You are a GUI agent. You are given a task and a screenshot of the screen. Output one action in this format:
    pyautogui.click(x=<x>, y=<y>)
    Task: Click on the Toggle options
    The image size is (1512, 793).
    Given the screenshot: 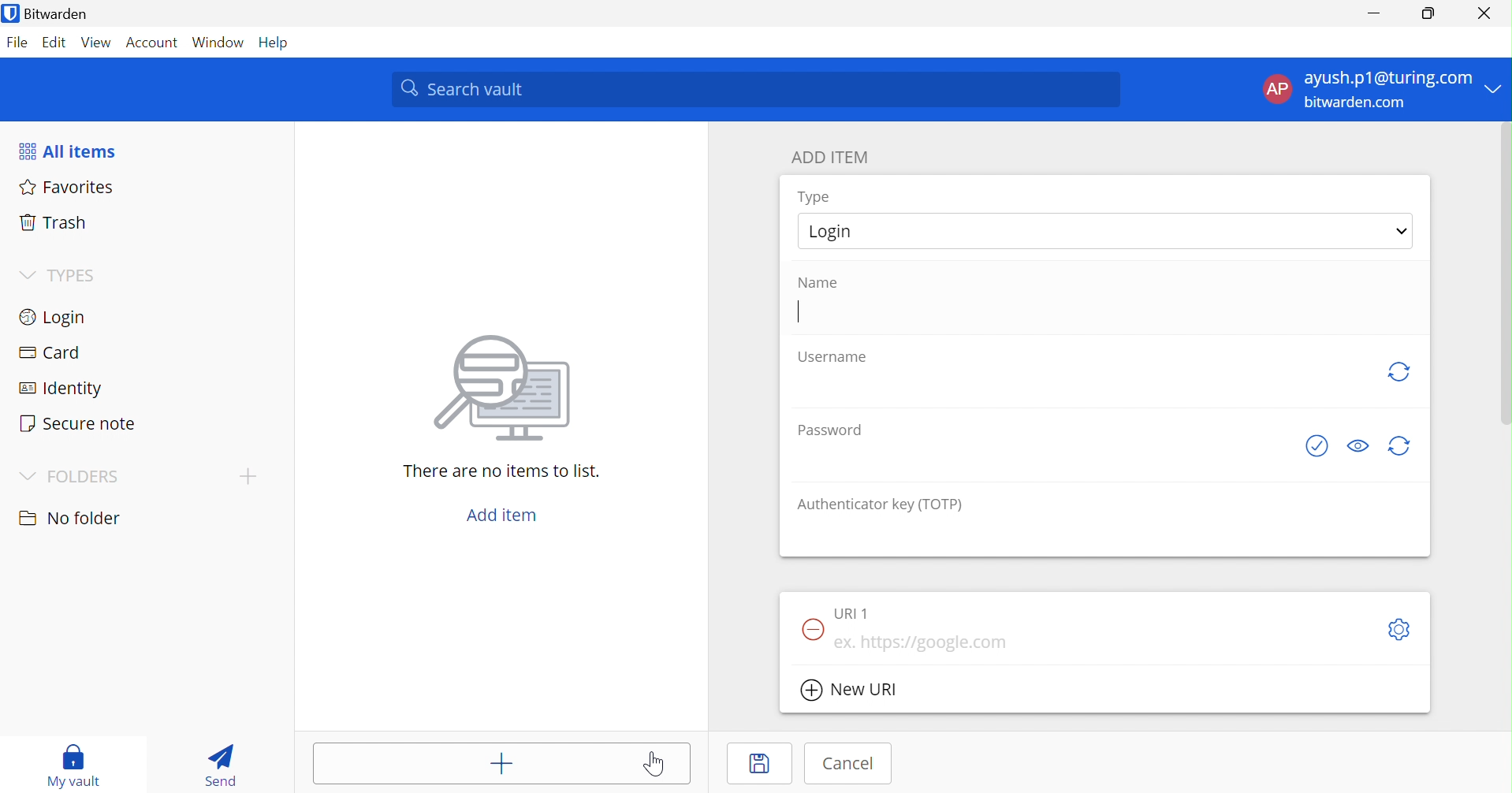 What is the action you would take?
    pyautogui.click(x=1401, y=629)
    